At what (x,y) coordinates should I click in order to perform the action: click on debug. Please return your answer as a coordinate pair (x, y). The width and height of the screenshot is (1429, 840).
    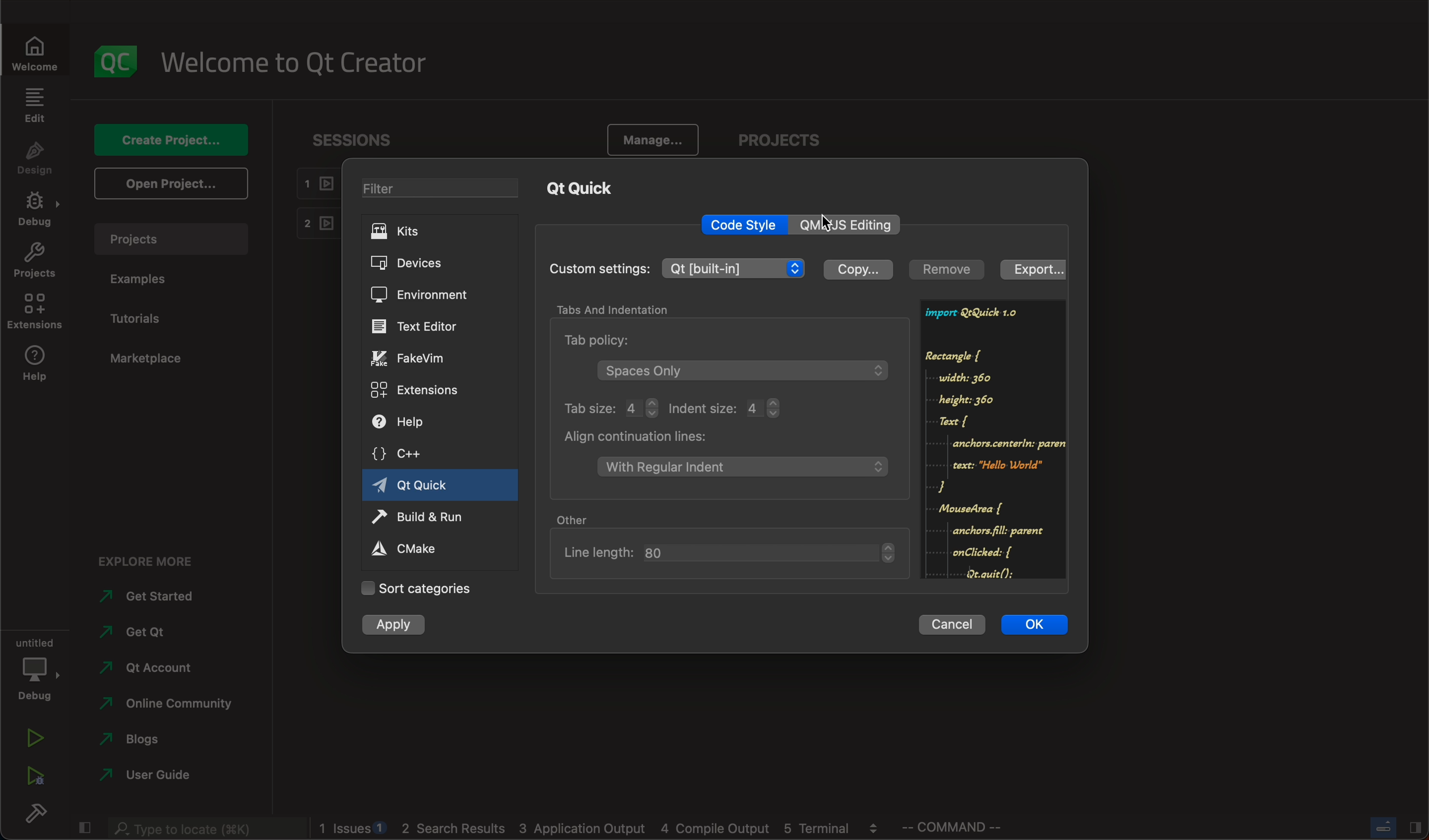
    Looking at the image, I should click on (36, 210).